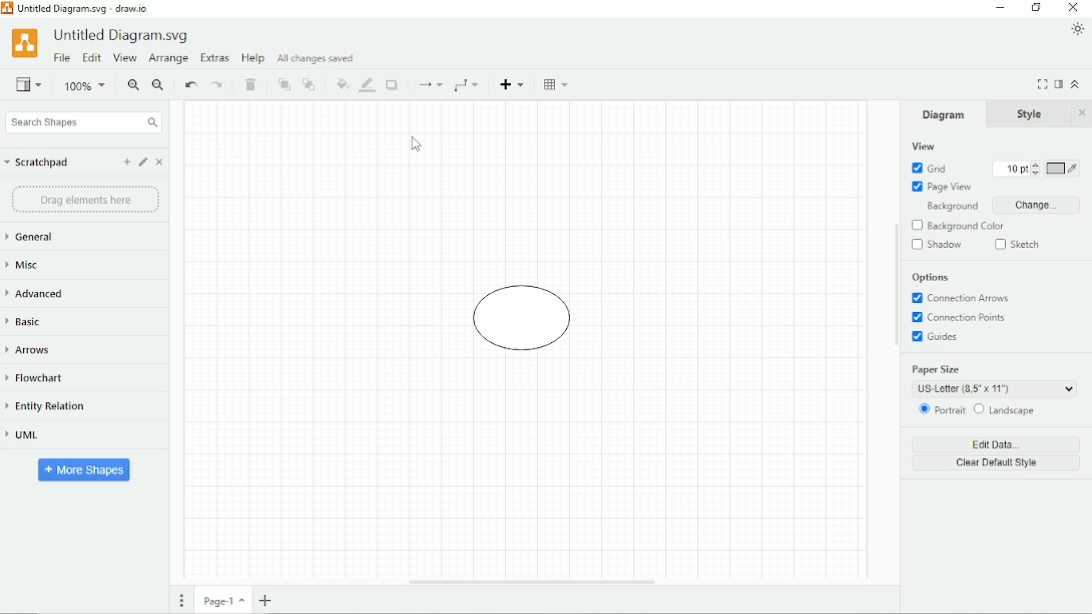 The width and height of the screenshot is (1092, 614). I want to click on Delete, so click(252, 85).